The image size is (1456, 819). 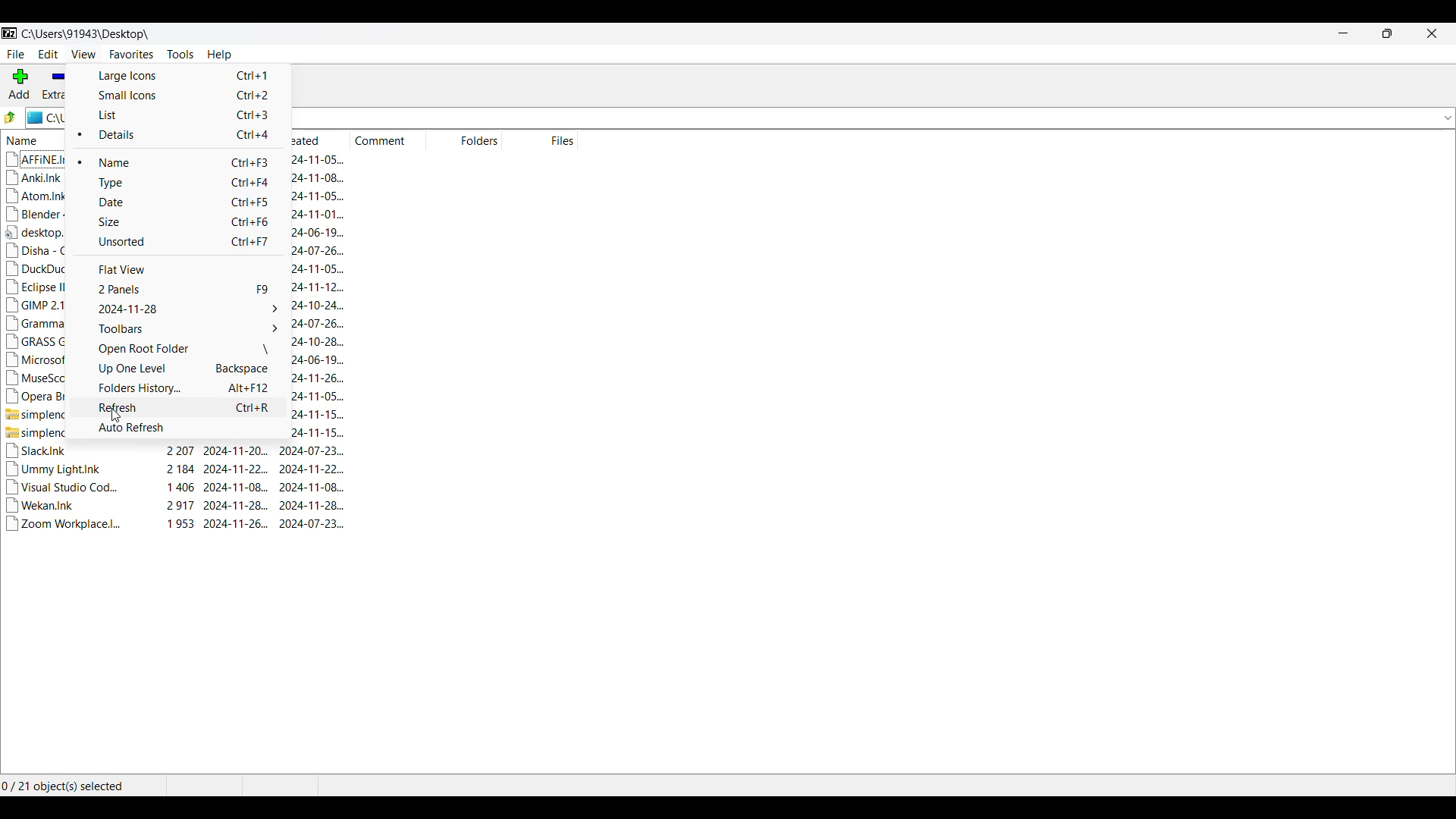 I want to click on Close, so click(x=1432, y=33).